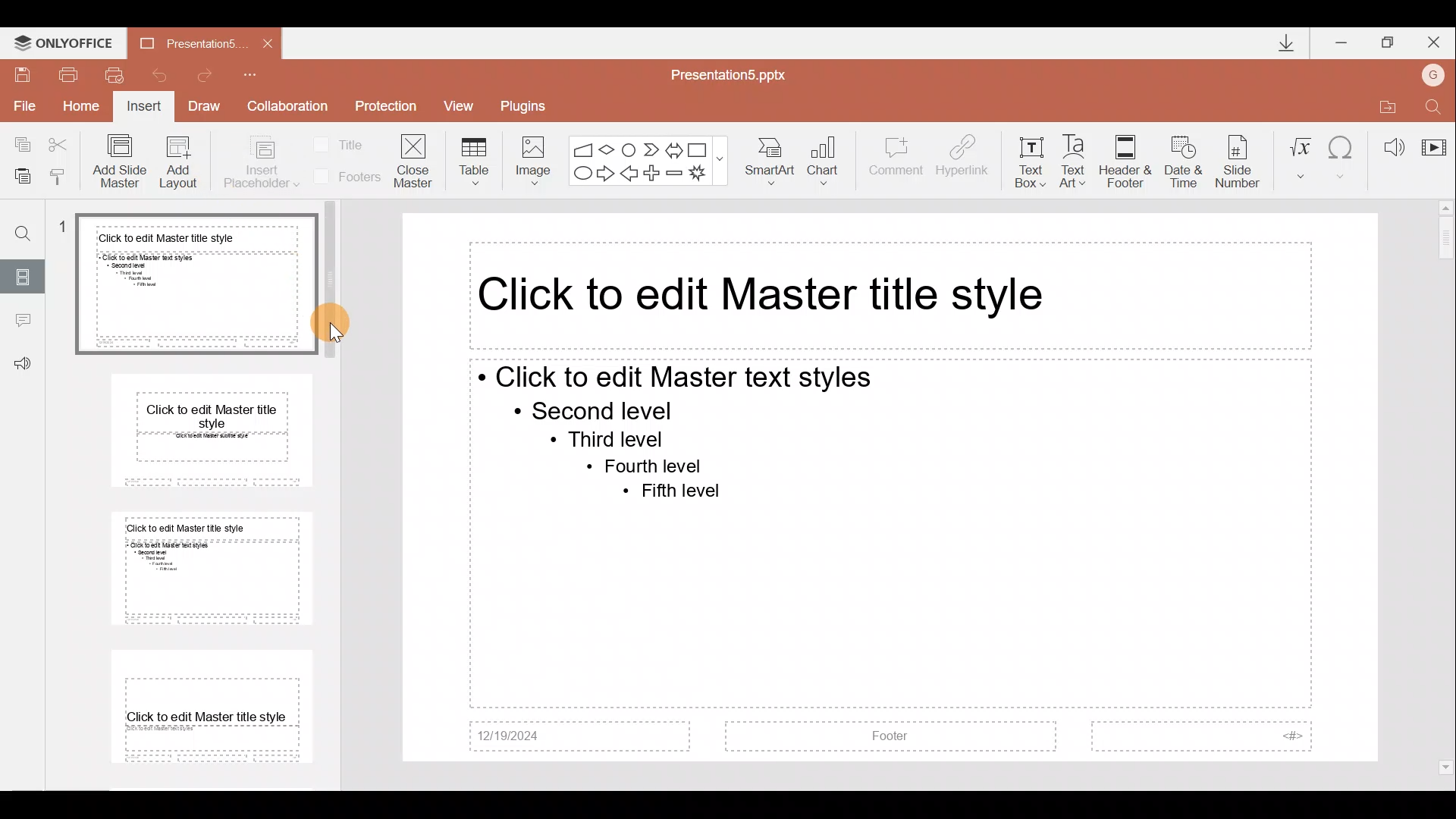 Image resolution: width=1456 pixels, height=819 pixels. I want to click on Save, so click(23, 73).